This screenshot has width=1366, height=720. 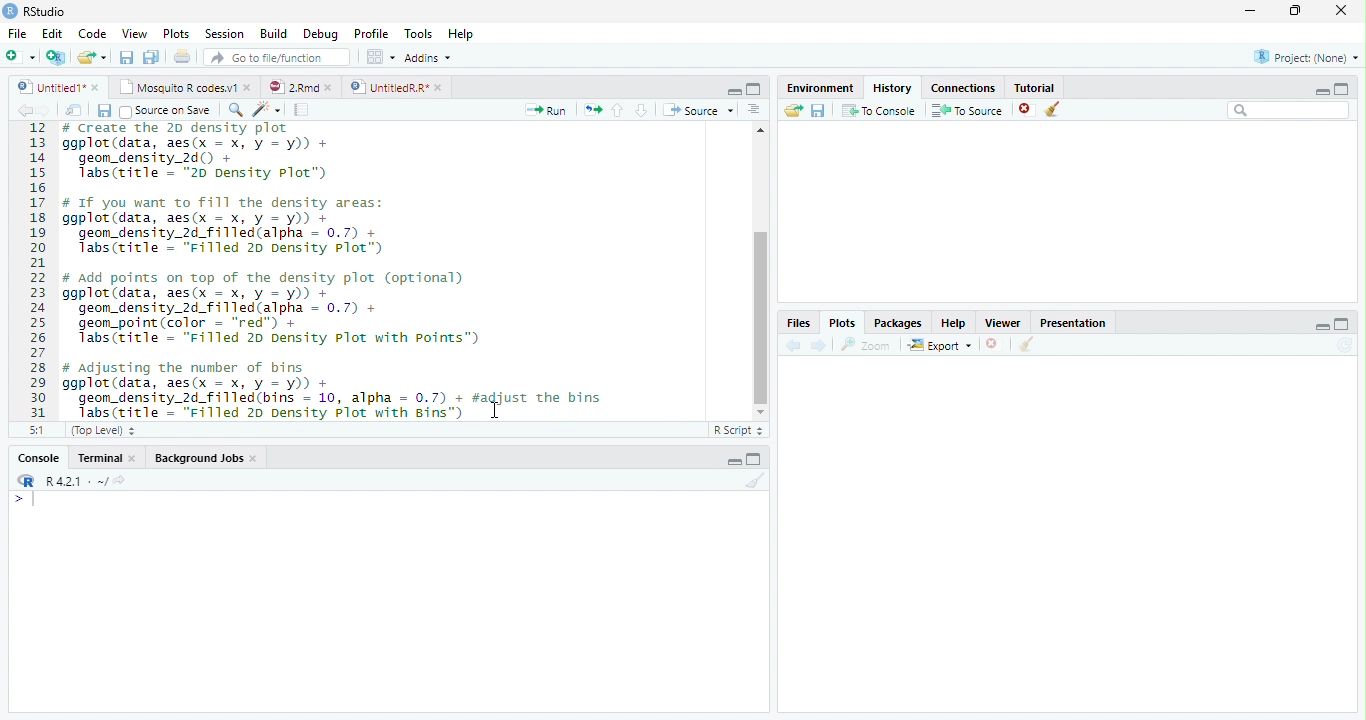 I want to click on re-run the previous code, so click(x=592, y=109).